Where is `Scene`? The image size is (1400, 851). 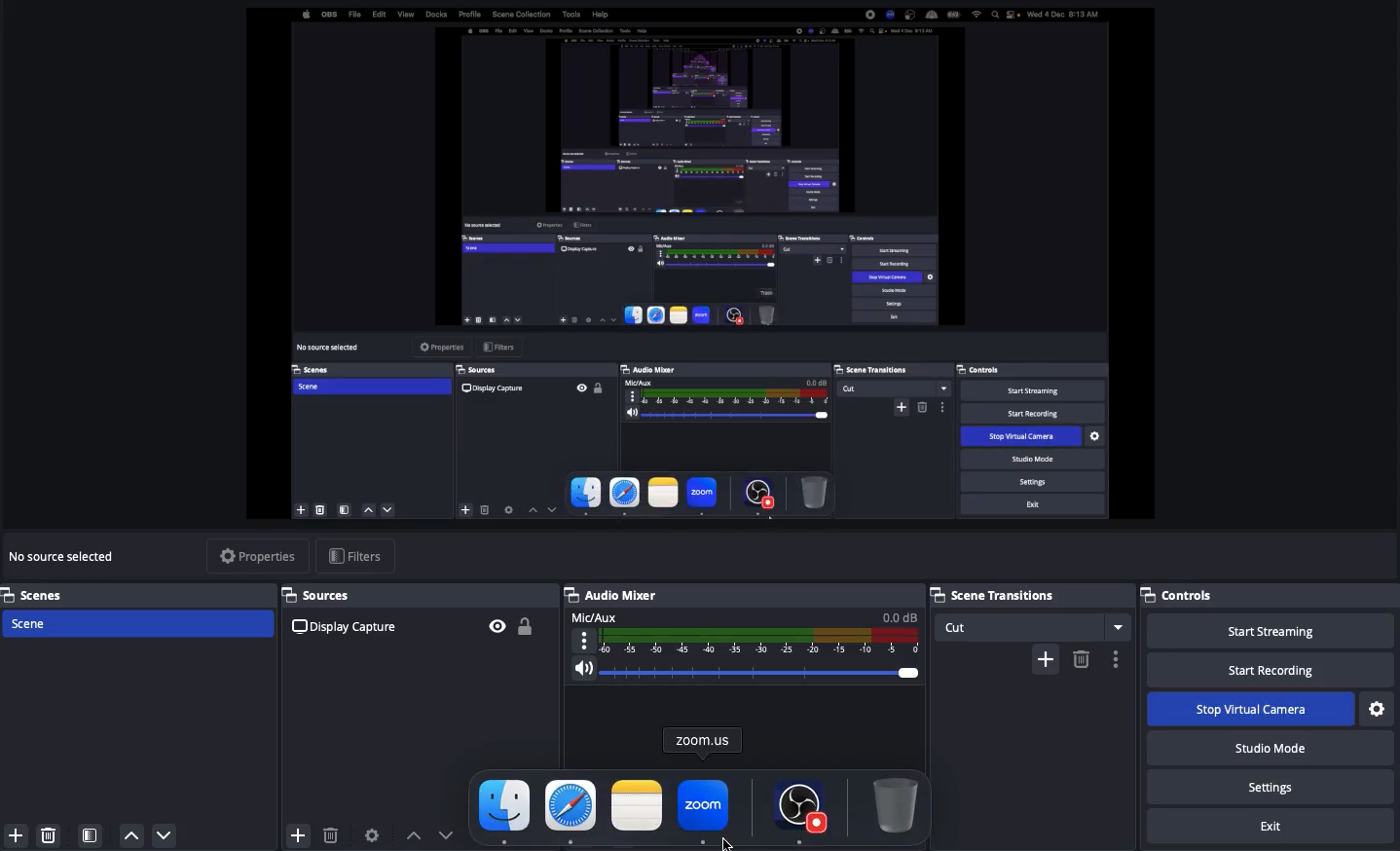 Scene is located at coordinates (29, 621).